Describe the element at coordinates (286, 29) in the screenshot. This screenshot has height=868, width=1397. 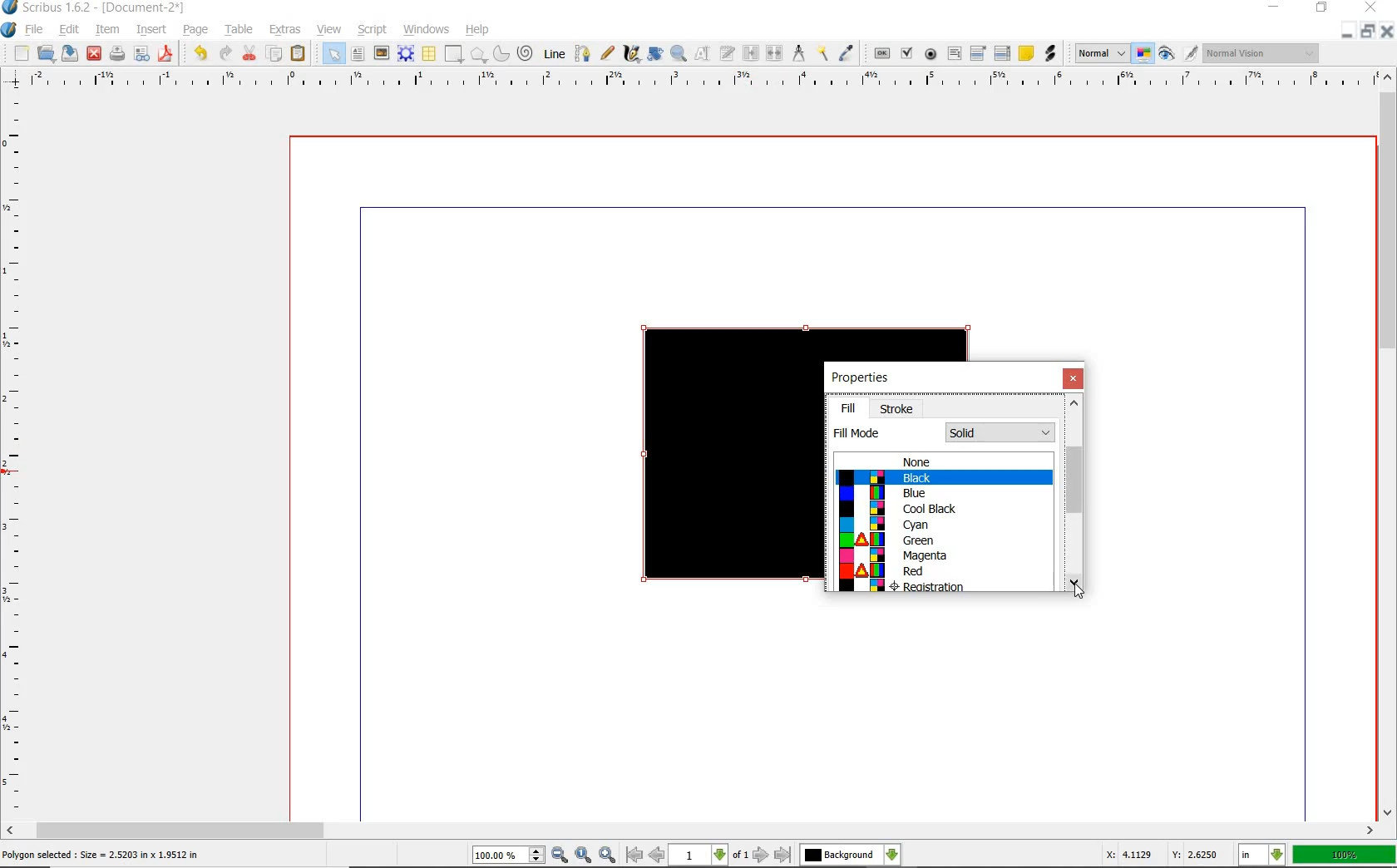
I see `extras` at that location.